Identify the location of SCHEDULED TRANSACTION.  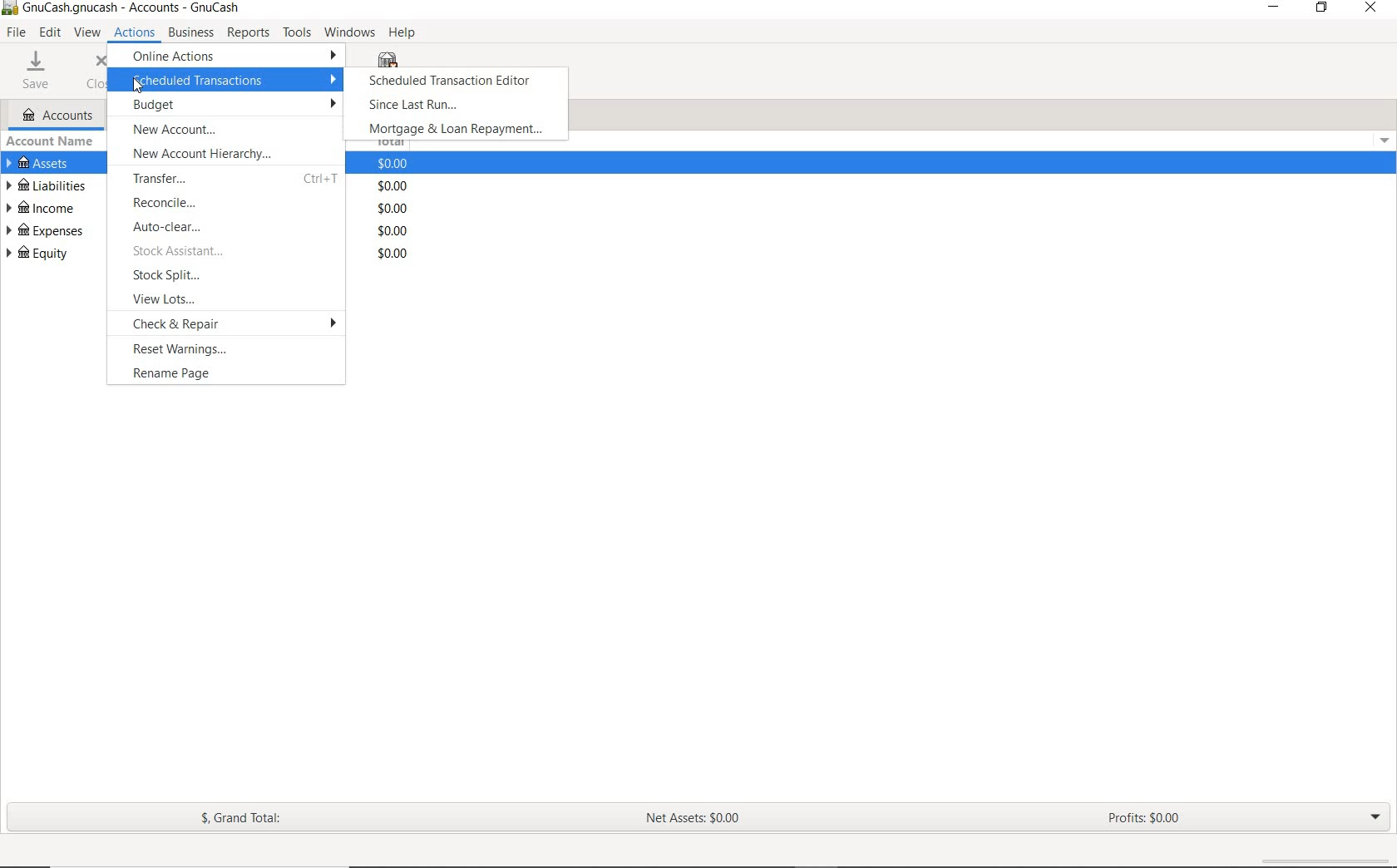
(234, 81).